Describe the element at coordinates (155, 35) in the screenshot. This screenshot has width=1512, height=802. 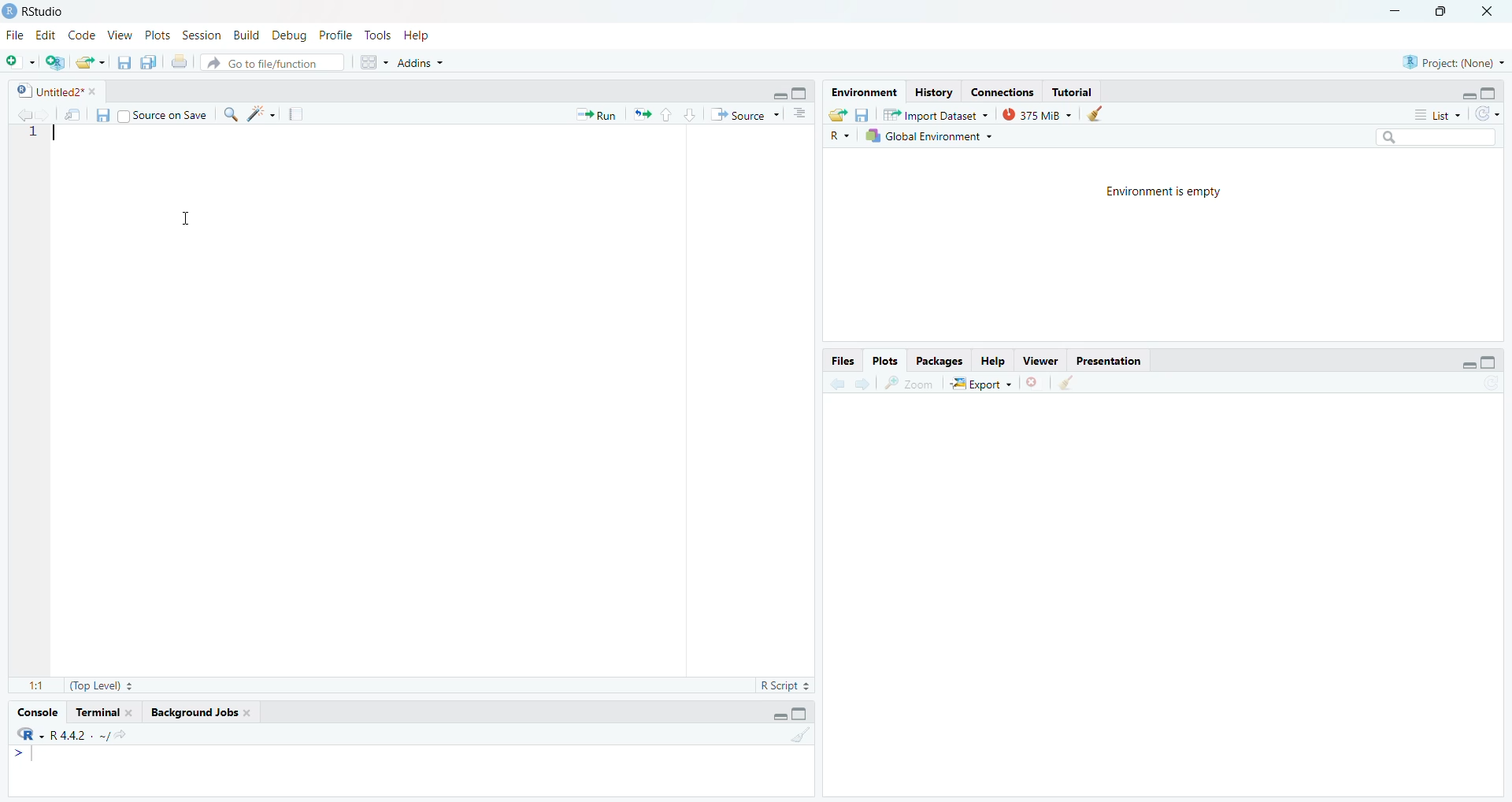
I see `Plots` at that location.